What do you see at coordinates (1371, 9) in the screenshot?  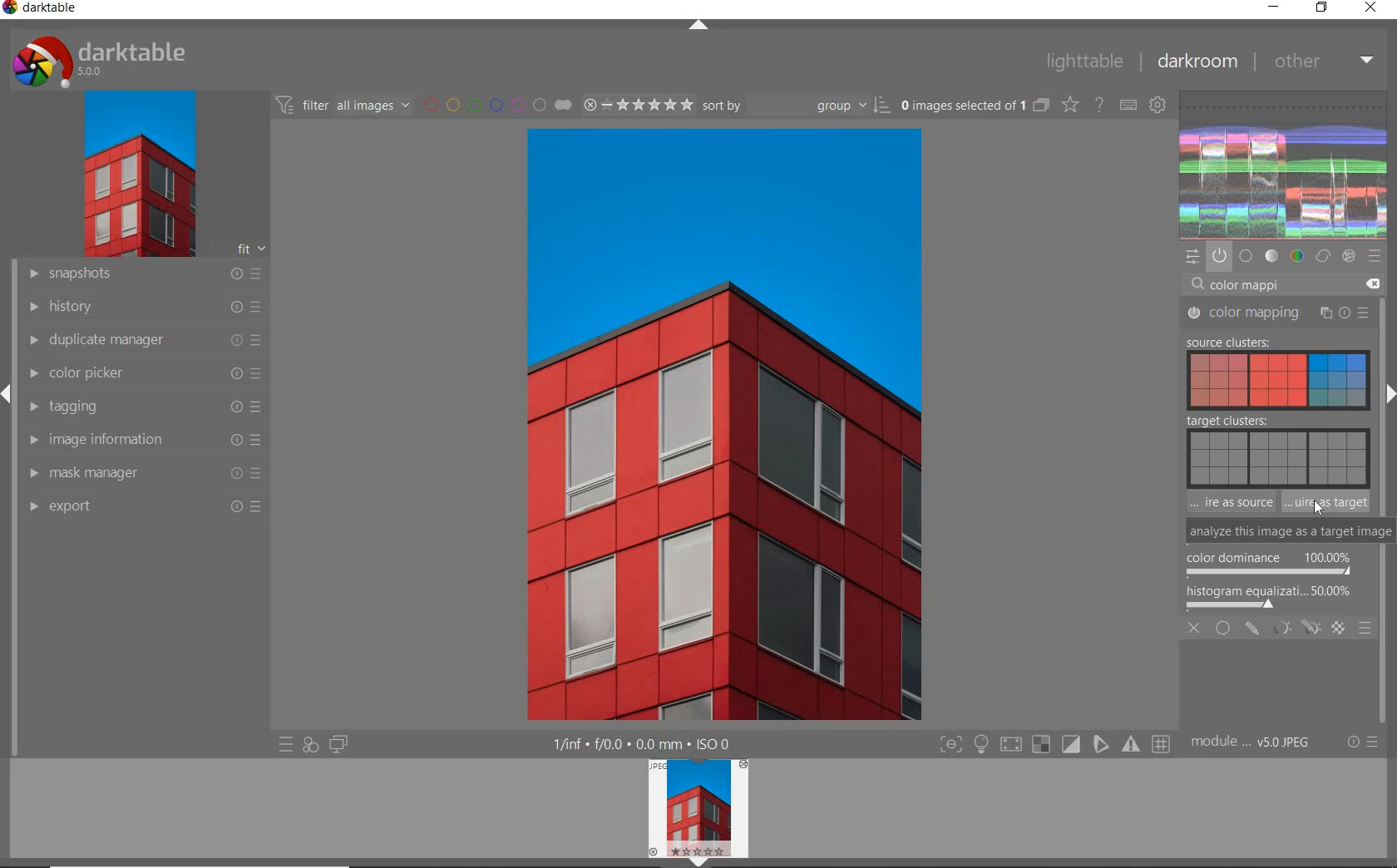 I see `close` at bounding box center [1371, 9].